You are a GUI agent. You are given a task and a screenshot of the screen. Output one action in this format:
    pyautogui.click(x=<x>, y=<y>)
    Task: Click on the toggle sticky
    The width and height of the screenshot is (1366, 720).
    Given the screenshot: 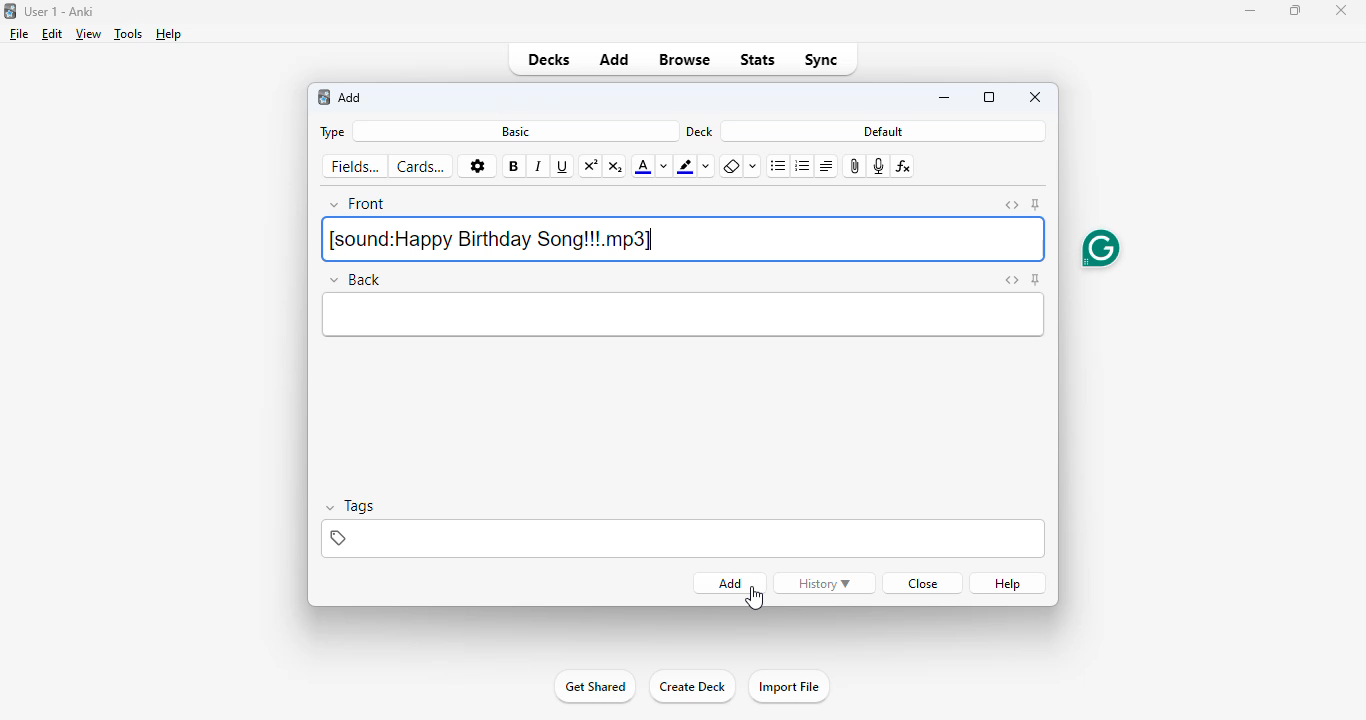 What is the action you would take?
    pyautogui.click(x=1037, y=204)
    